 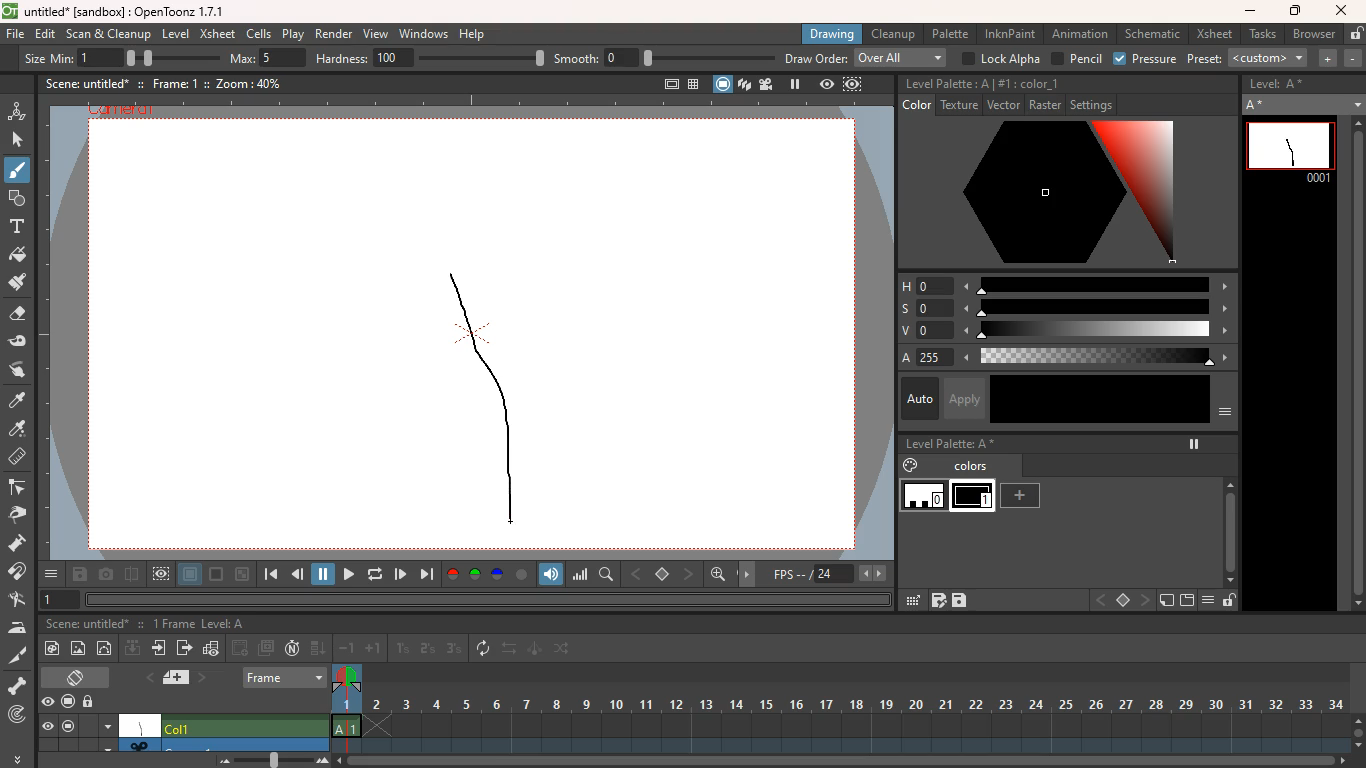 I want to click on color, so click(x=1100, y=399).